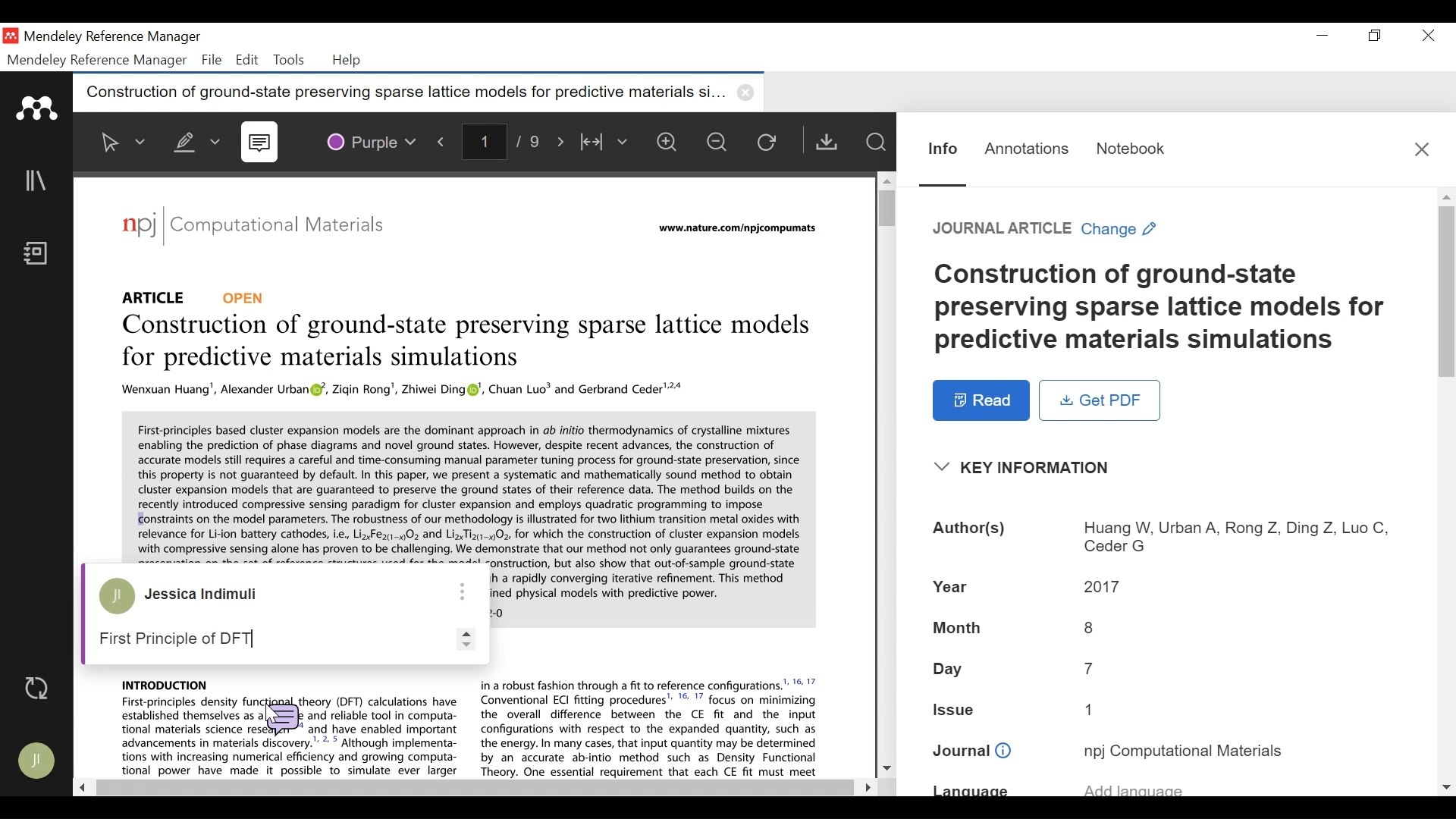  I want to click on File, so click(212, 60).